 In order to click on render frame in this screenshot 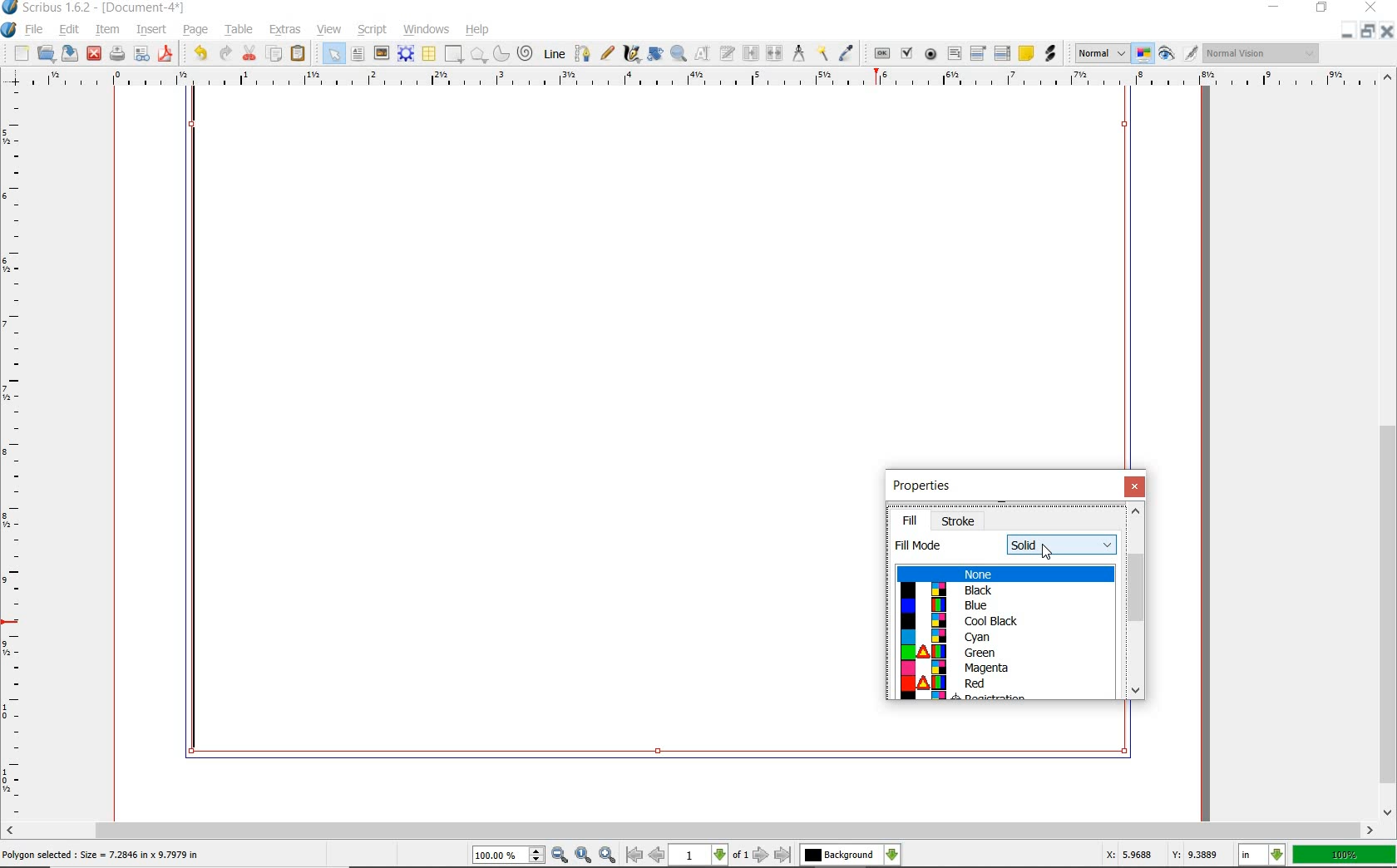, I will do `click(407, 55)`.